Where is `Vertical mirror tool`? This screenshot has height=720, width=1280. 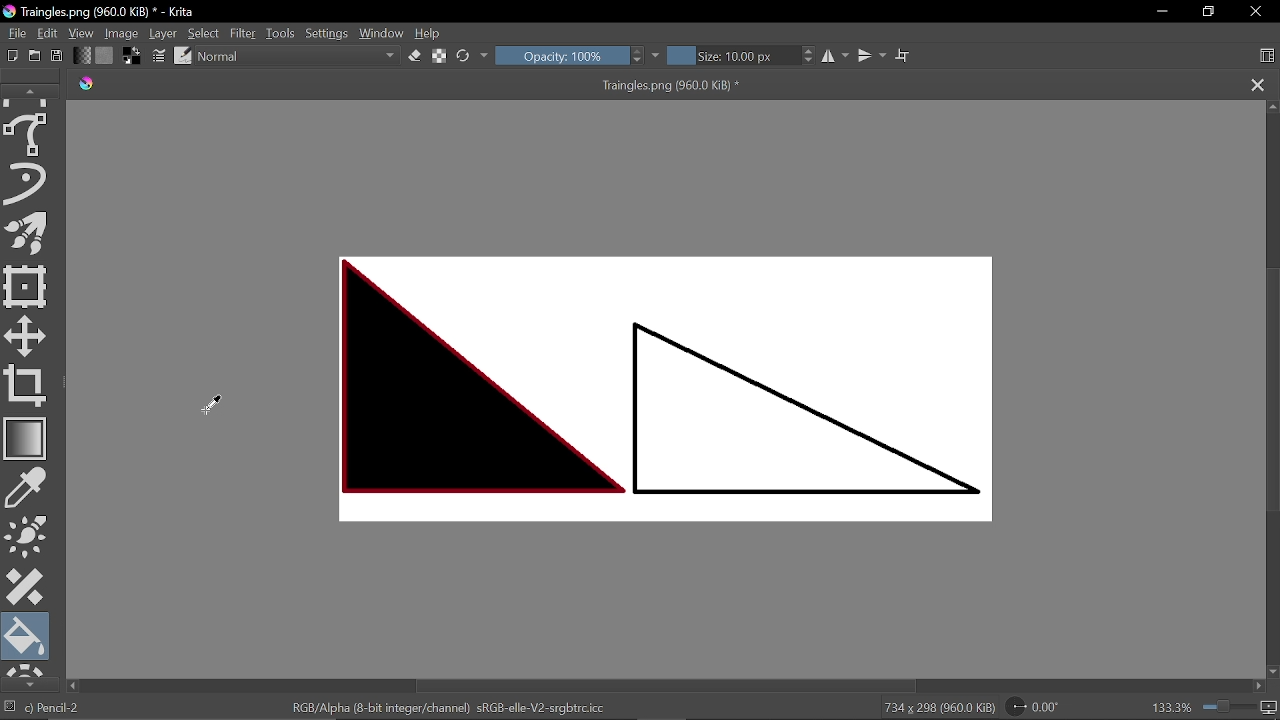 Vertical mirror tool is located at coordinates (874, 57).